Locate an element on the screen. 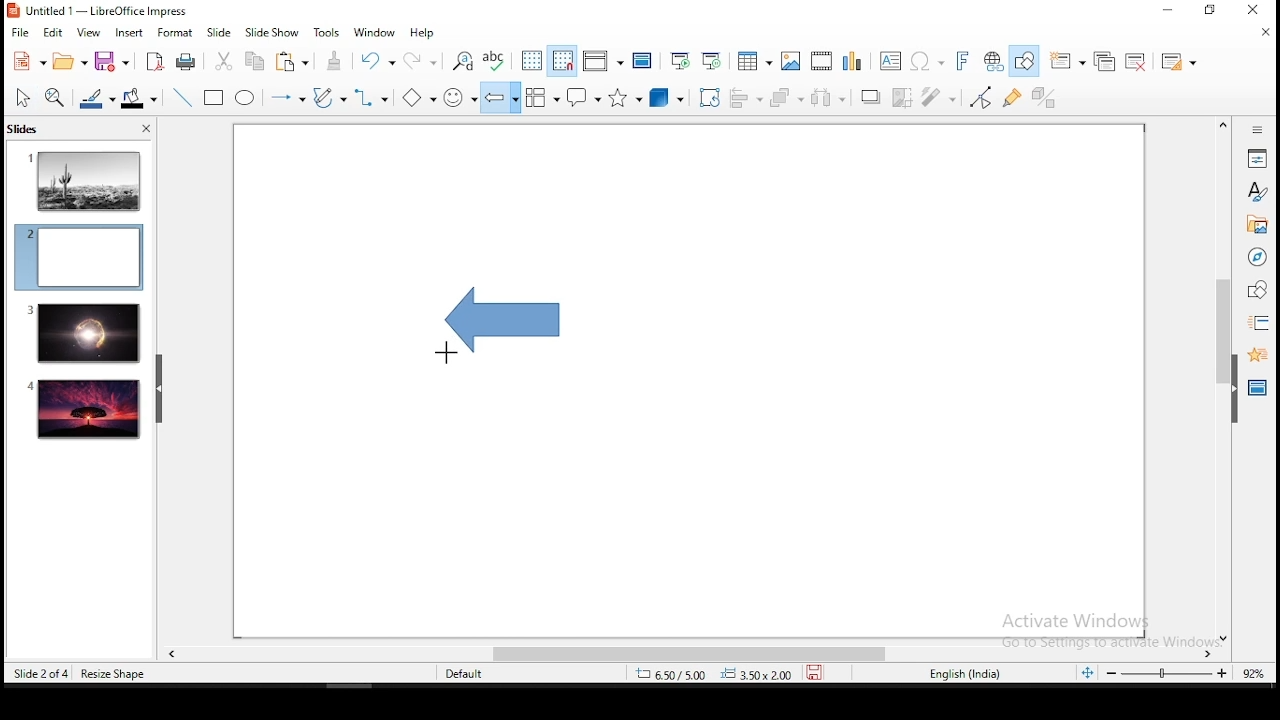 The image size is (1280, 720). zoom level is located at coordinates (1254, 672).